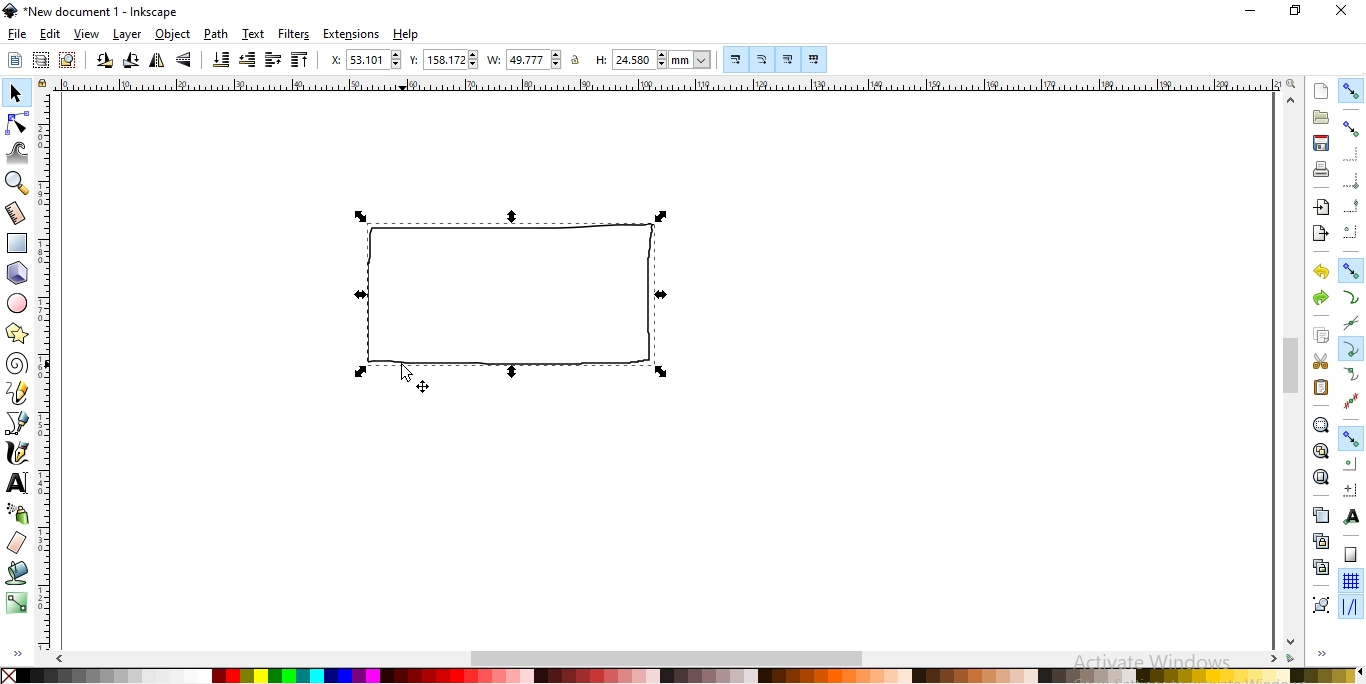  Describe the element at coordinates (15, 34) in the screenshot. I see `file` at that location.